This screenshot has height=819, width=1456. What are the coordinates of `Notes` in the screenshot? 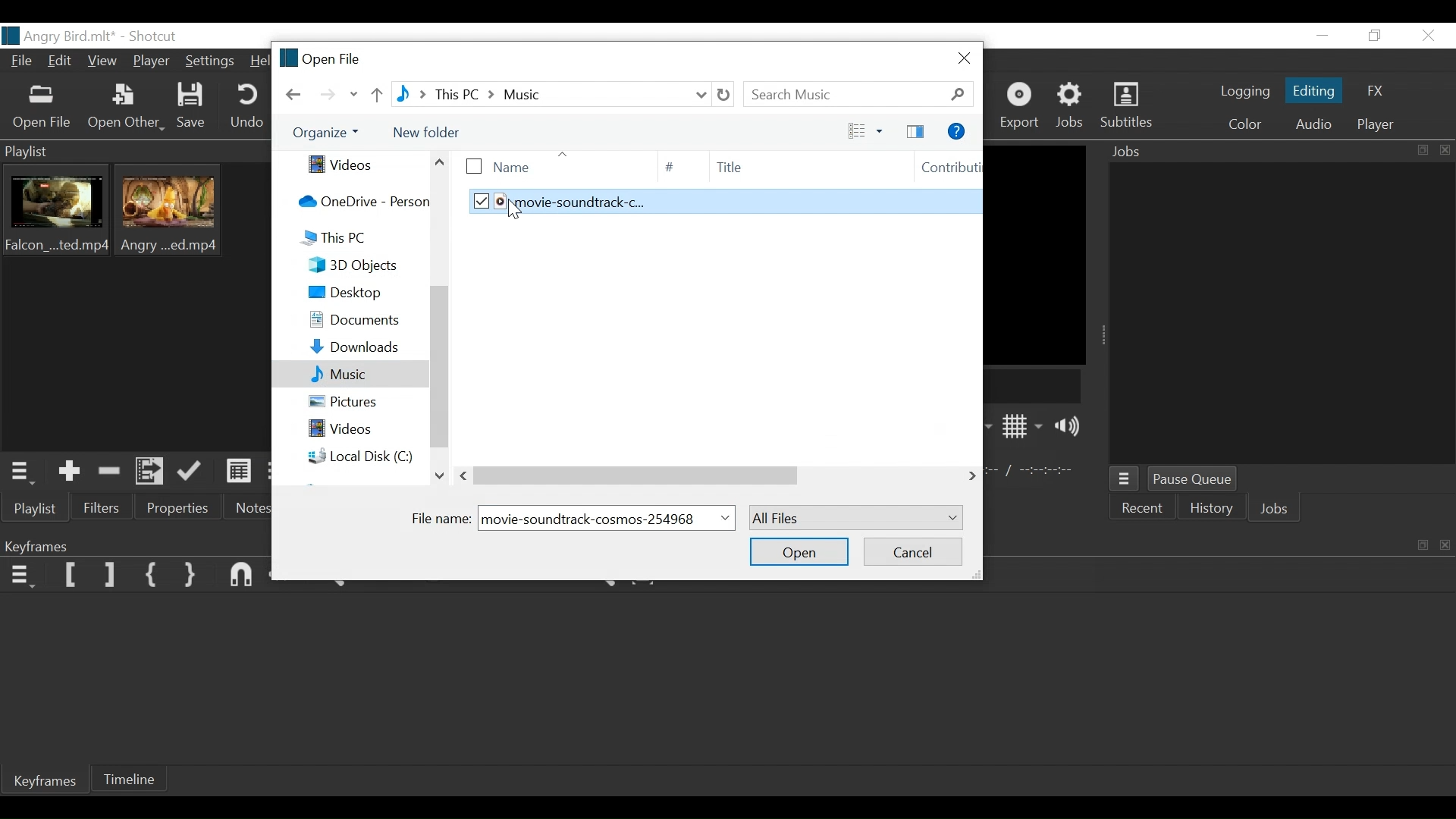 It's located at (251, 509).